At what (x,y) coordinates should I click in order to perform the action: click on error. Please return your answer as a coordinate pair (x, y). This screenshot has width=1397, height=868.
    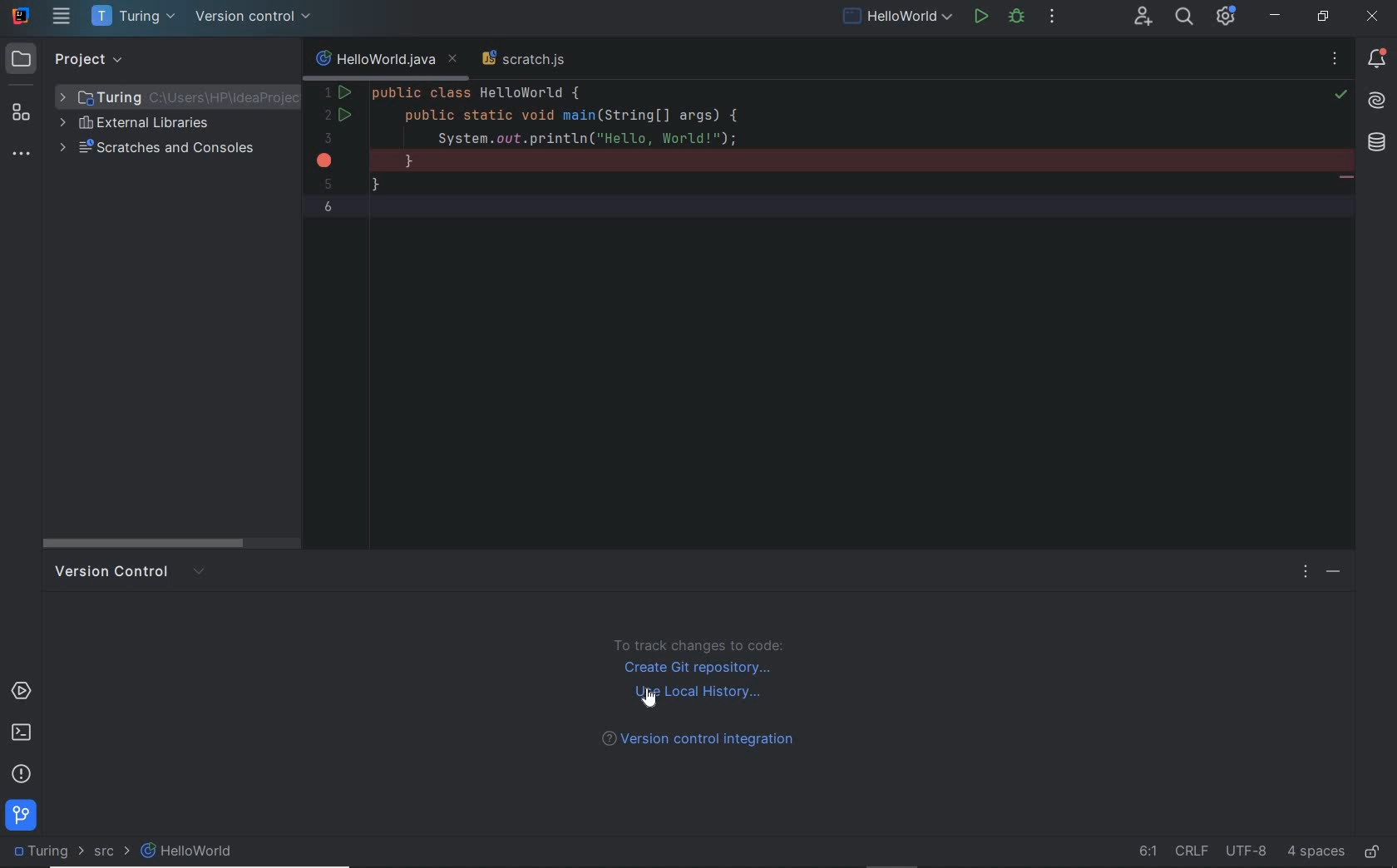
    Looking at the image, I should click on (324, 161).